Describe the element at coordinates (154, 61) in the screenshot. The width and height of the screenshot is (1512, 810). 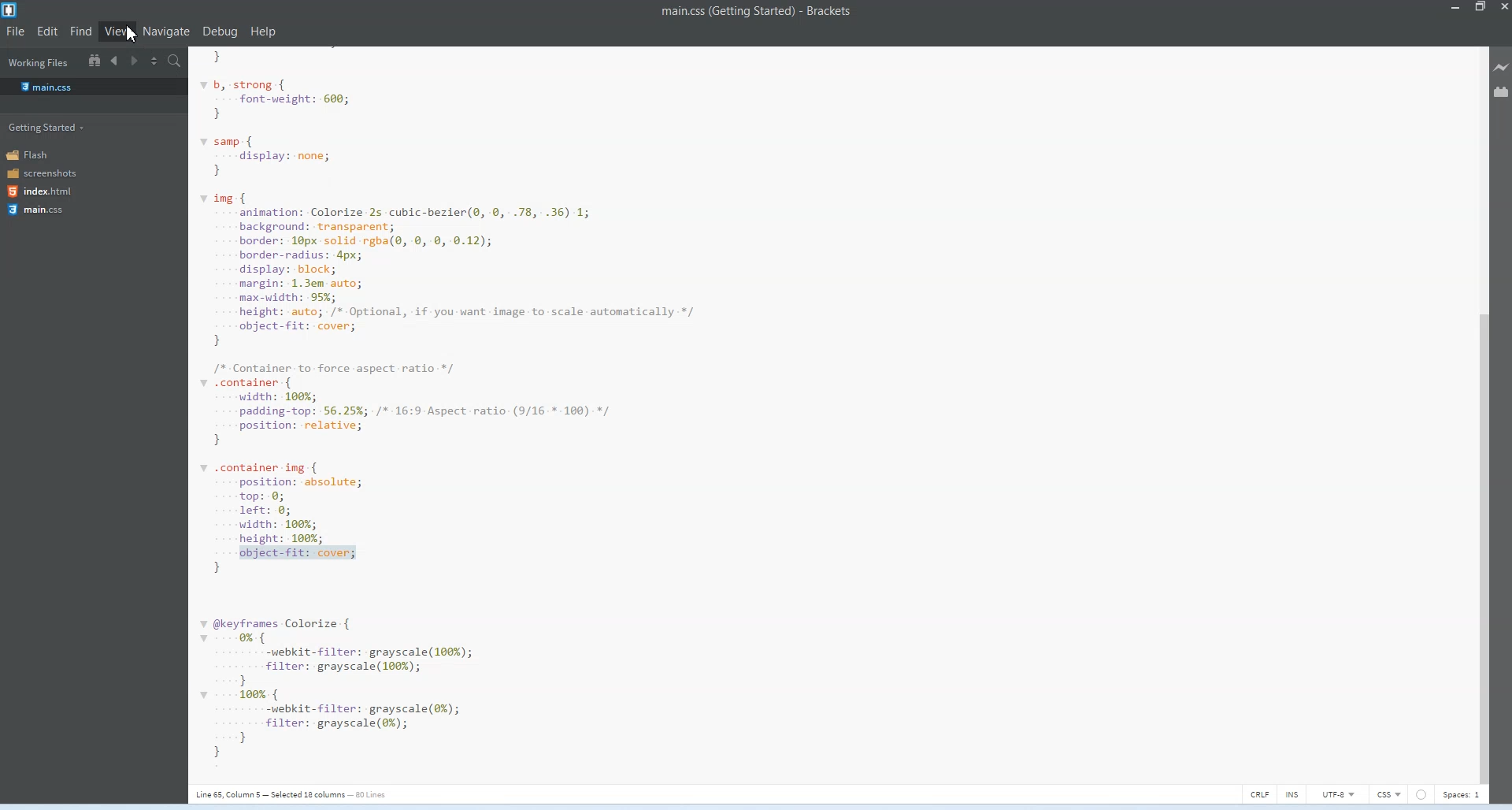
I see `Split the view vertically and Horizontally` at that location.